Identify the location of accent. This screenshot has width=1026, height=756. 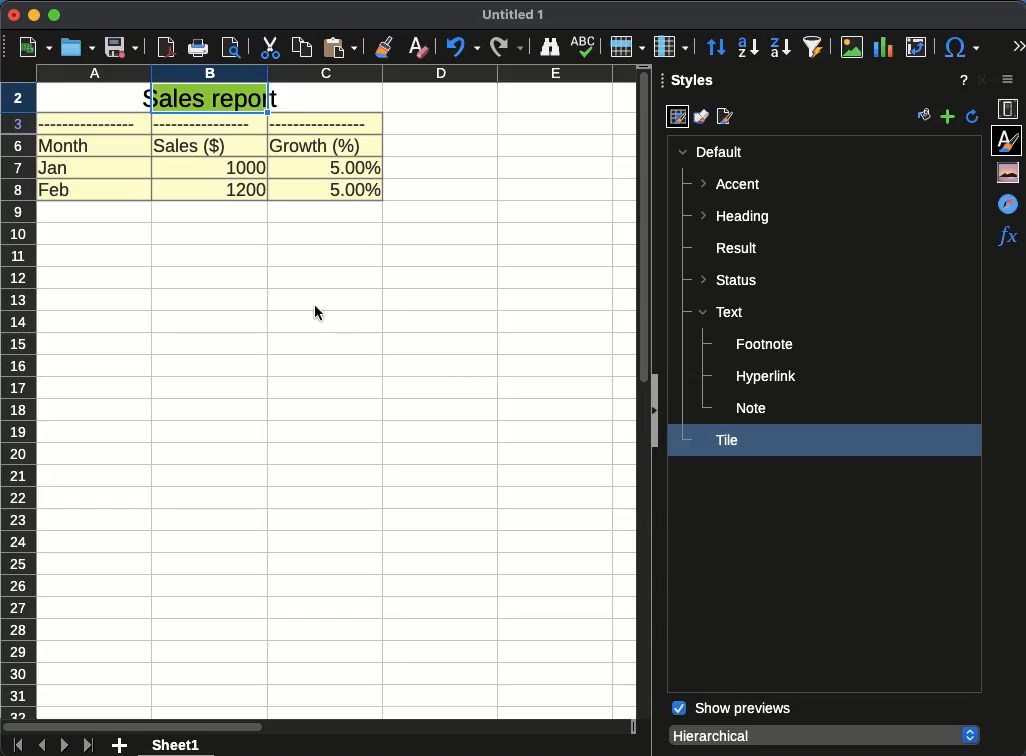
(732, 184).